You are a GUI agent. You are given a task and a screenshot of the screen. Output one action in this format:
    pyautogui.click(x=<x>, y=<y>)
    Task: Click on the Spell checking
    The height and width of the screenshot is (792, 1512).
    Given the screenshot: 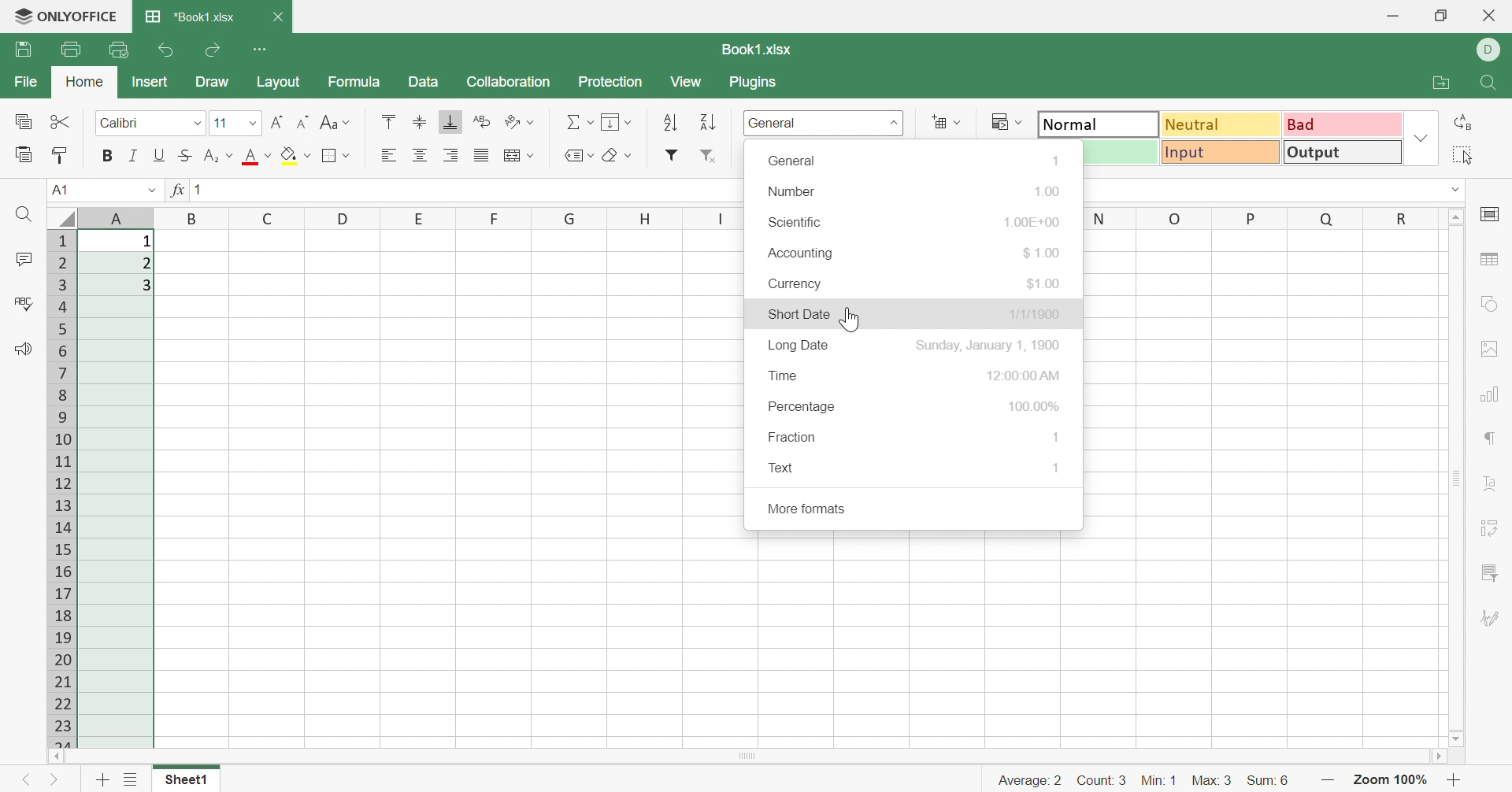 What is the action you would take?
    pyautogui.click(x=24, y=301)
    